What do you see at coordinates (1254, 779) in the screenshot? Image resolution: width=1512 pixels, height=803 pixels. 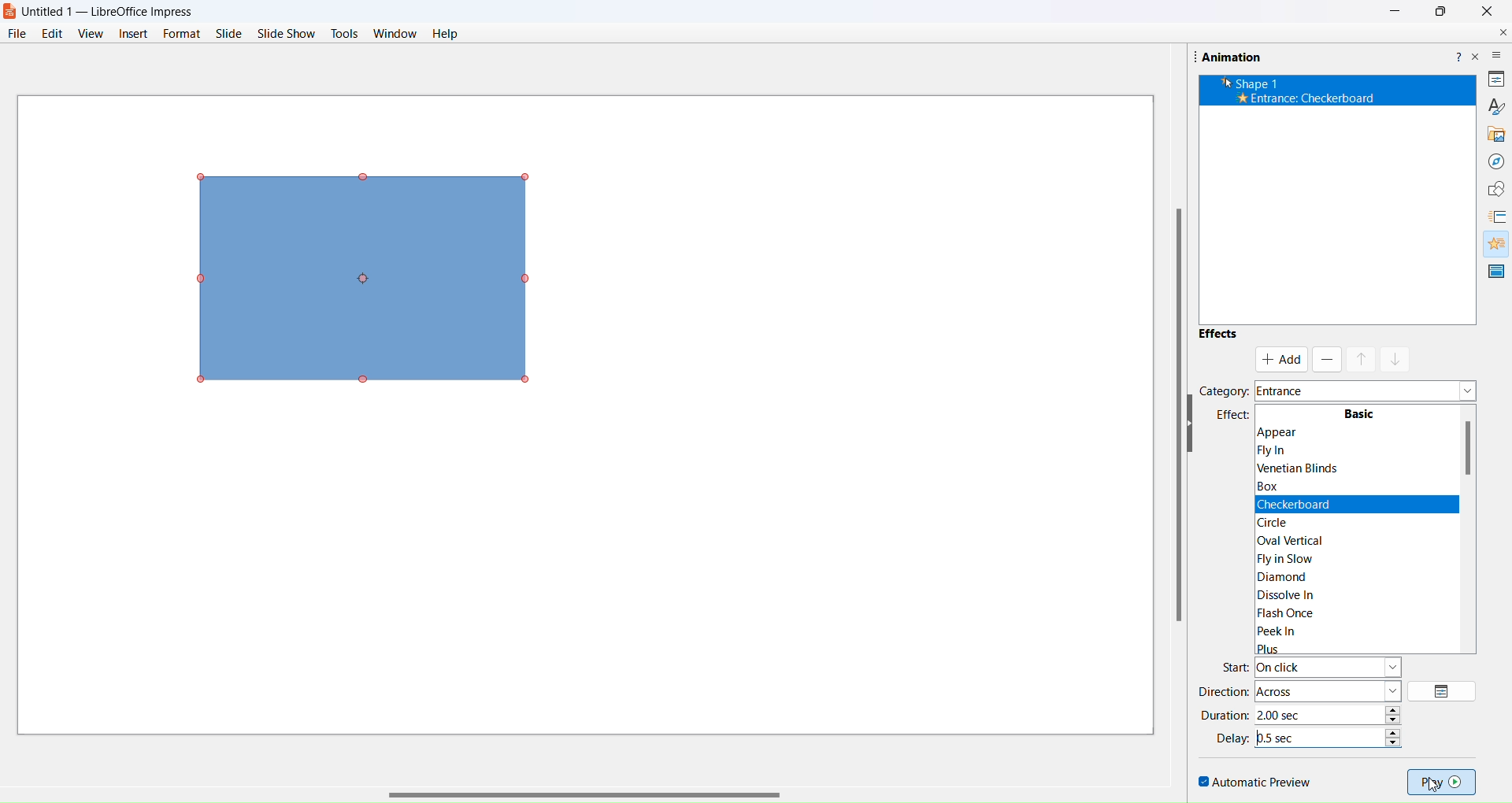 I see `automatic preview` at bounding box center [1254, 779].